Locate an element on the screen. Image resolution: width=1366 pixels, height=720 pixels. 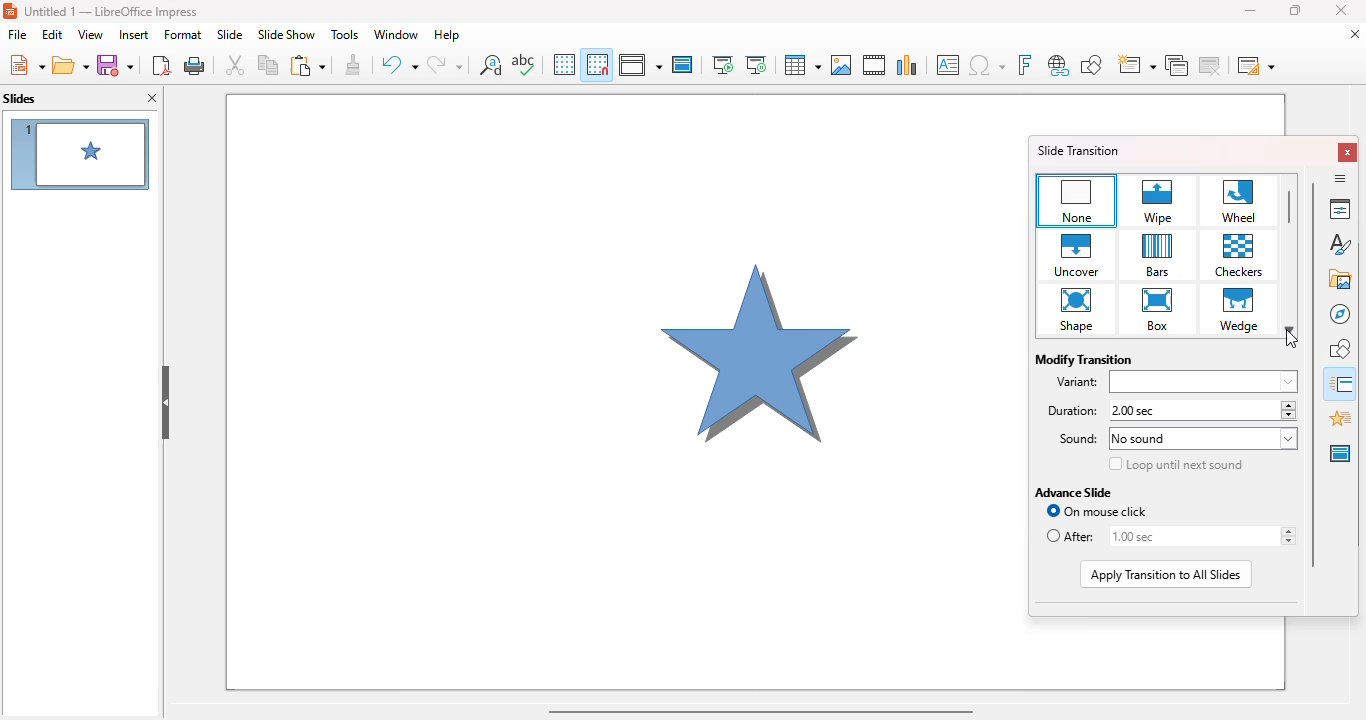
view is located at coordinates (91, 34).